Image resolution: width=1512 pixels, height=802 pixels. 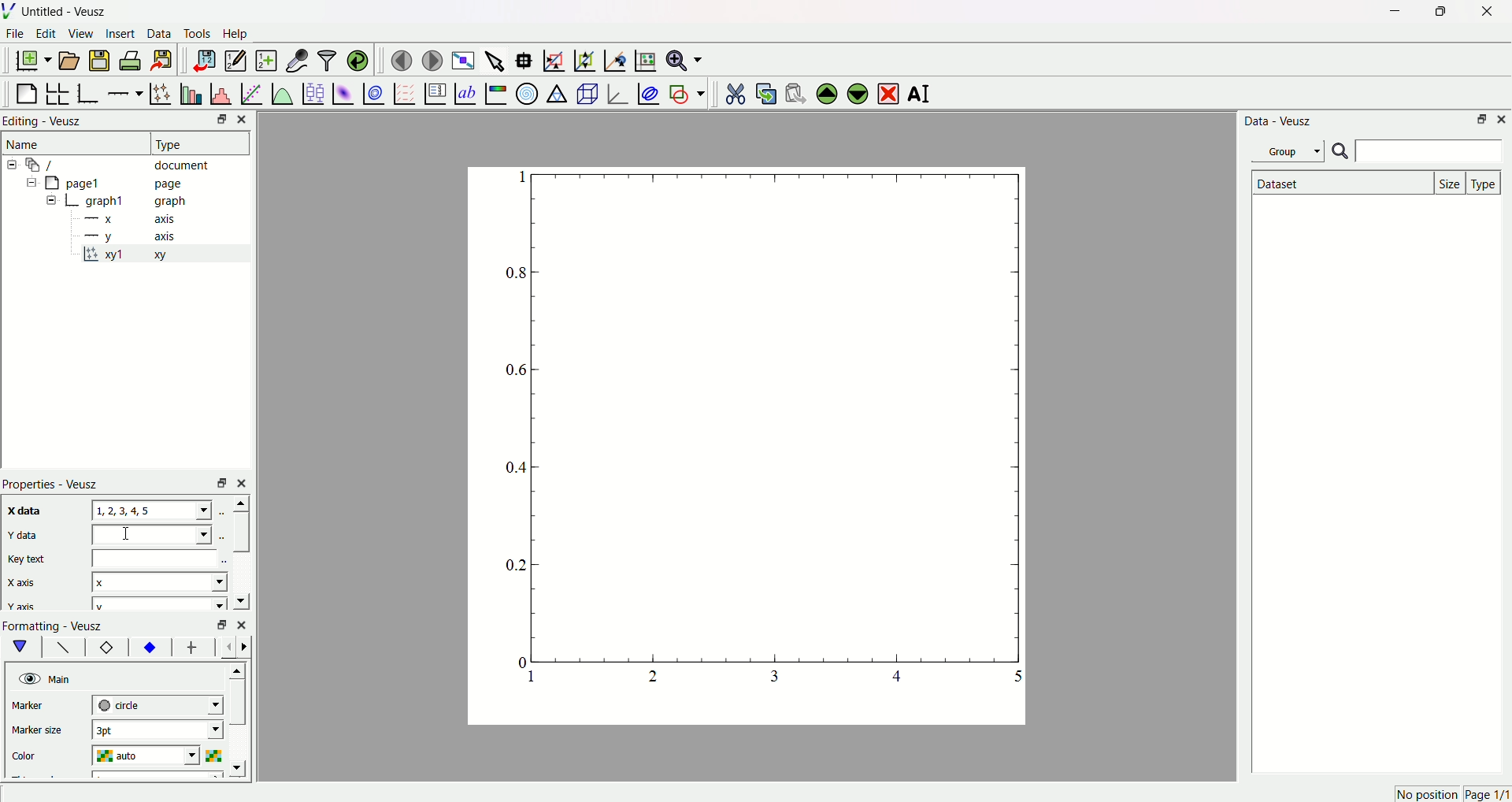 I want to click on move up, so click(x=239, y=668).